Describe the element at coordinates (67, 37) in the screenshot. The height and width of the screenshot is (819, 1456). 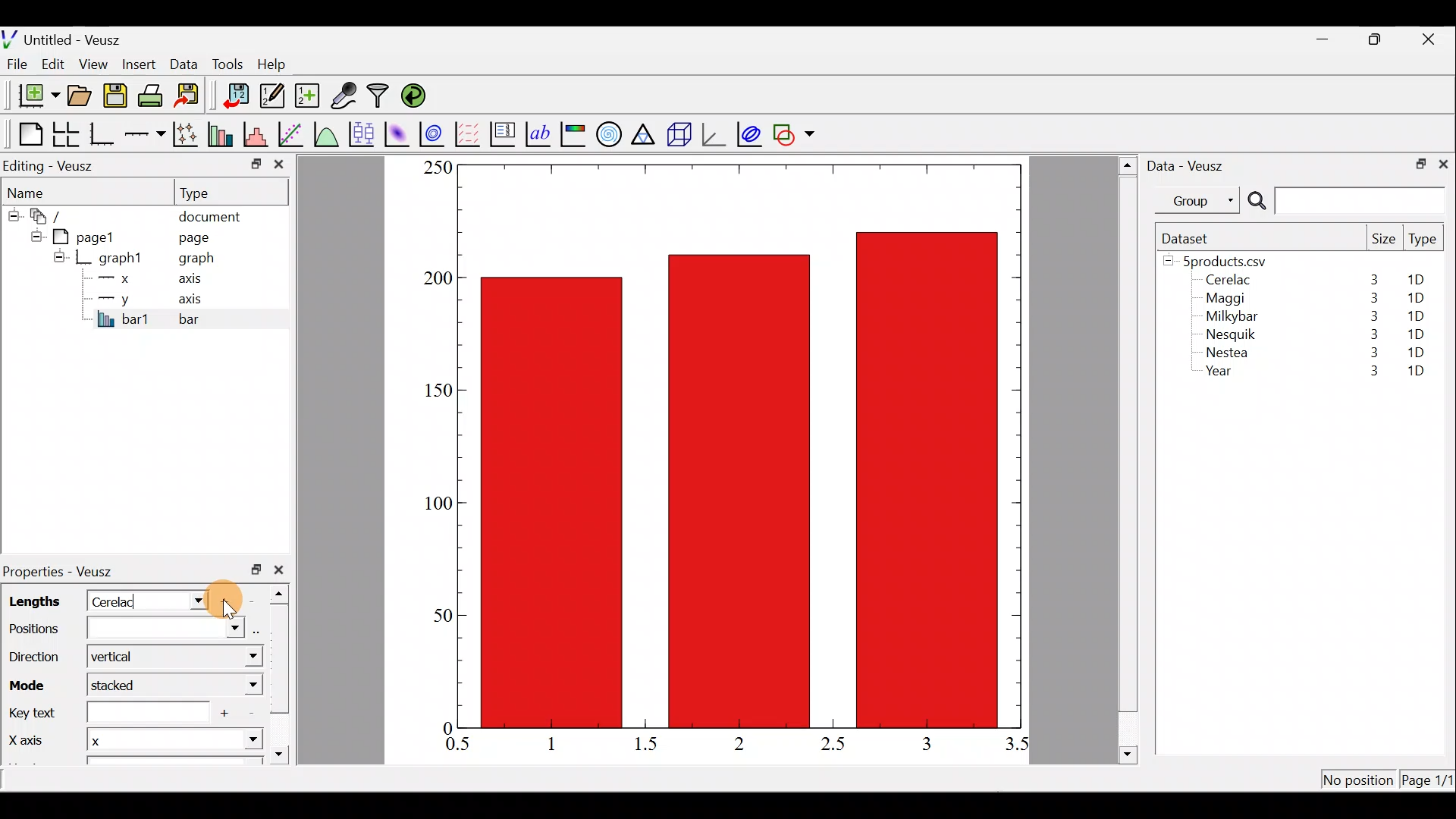
I see `Untitled - Veusz` at that location.